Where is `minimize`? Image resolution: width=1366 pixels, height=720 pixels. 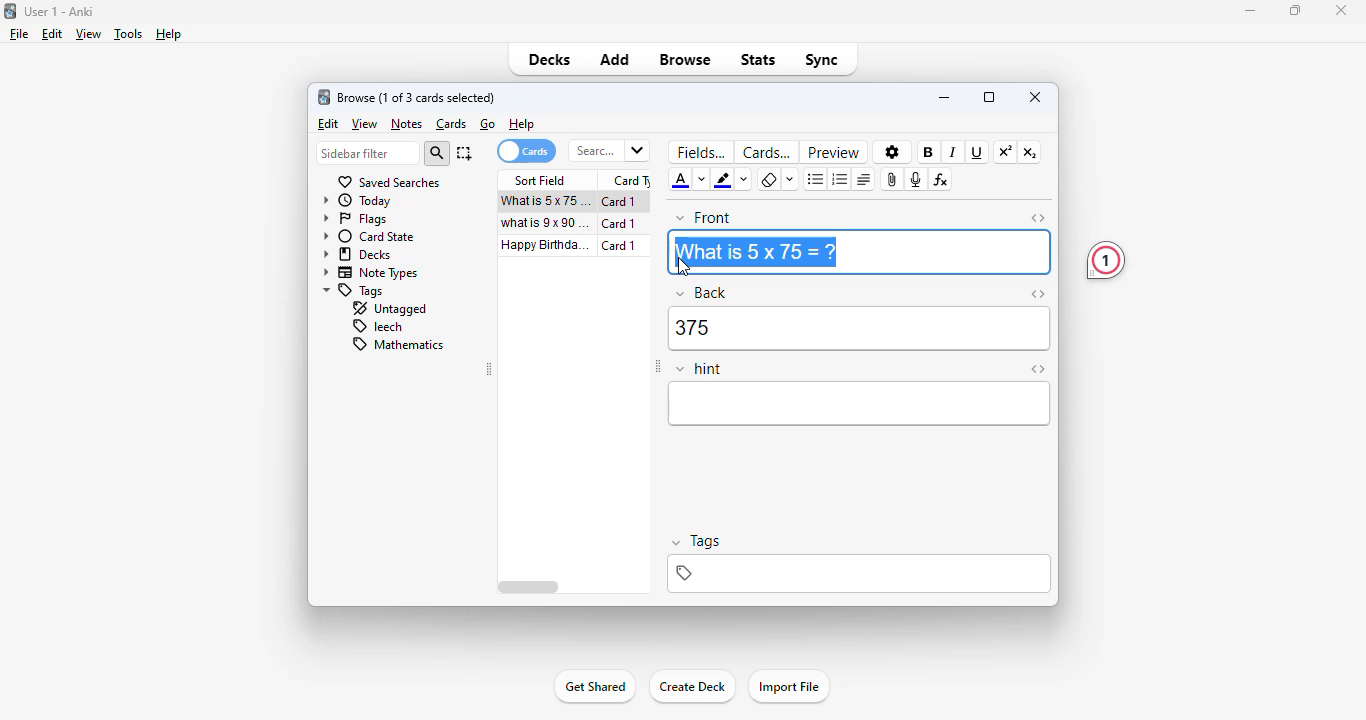 minimize is located at coordinates (1250, 11).